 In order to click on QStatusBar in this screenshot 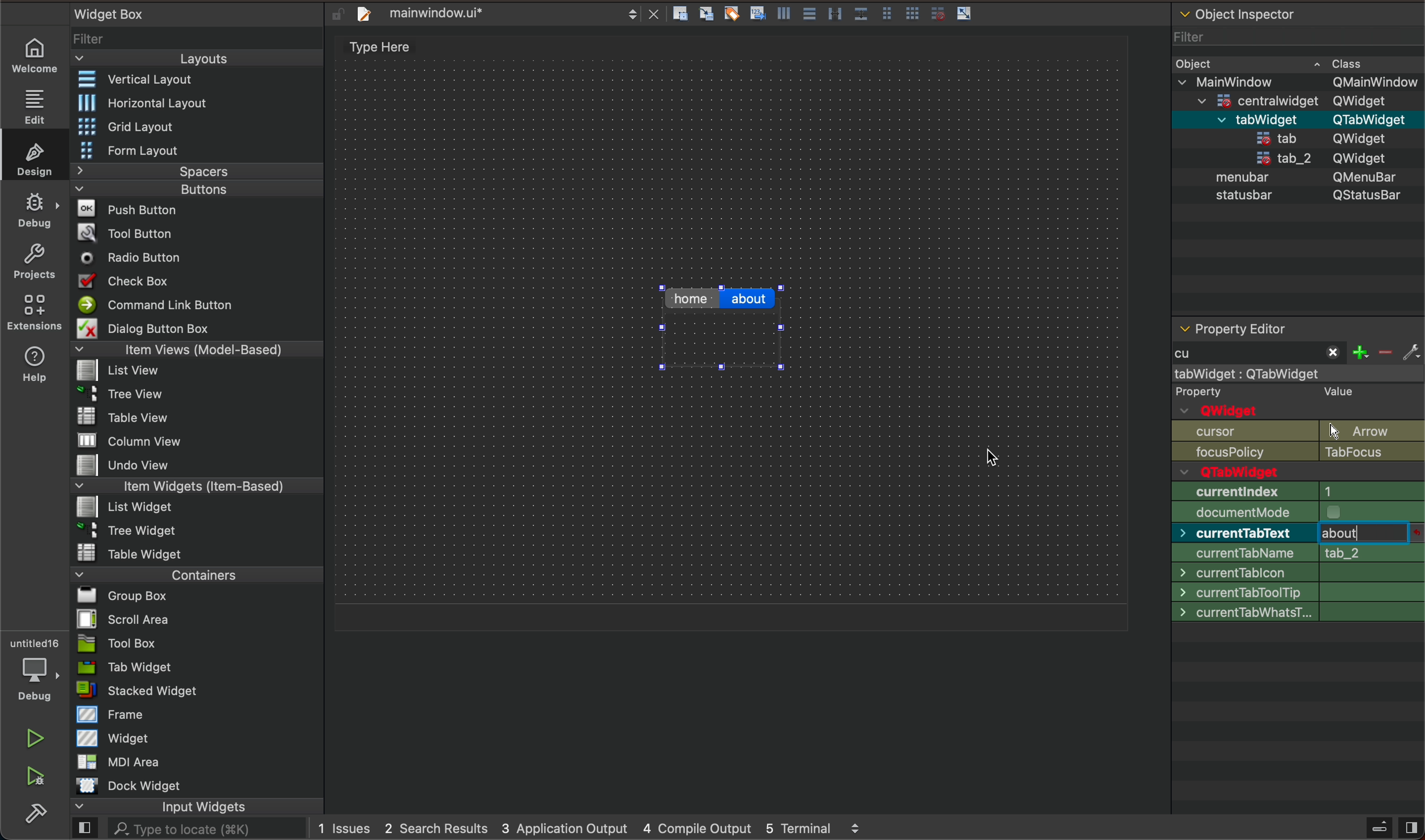, I will do `click(1356, 195)`.